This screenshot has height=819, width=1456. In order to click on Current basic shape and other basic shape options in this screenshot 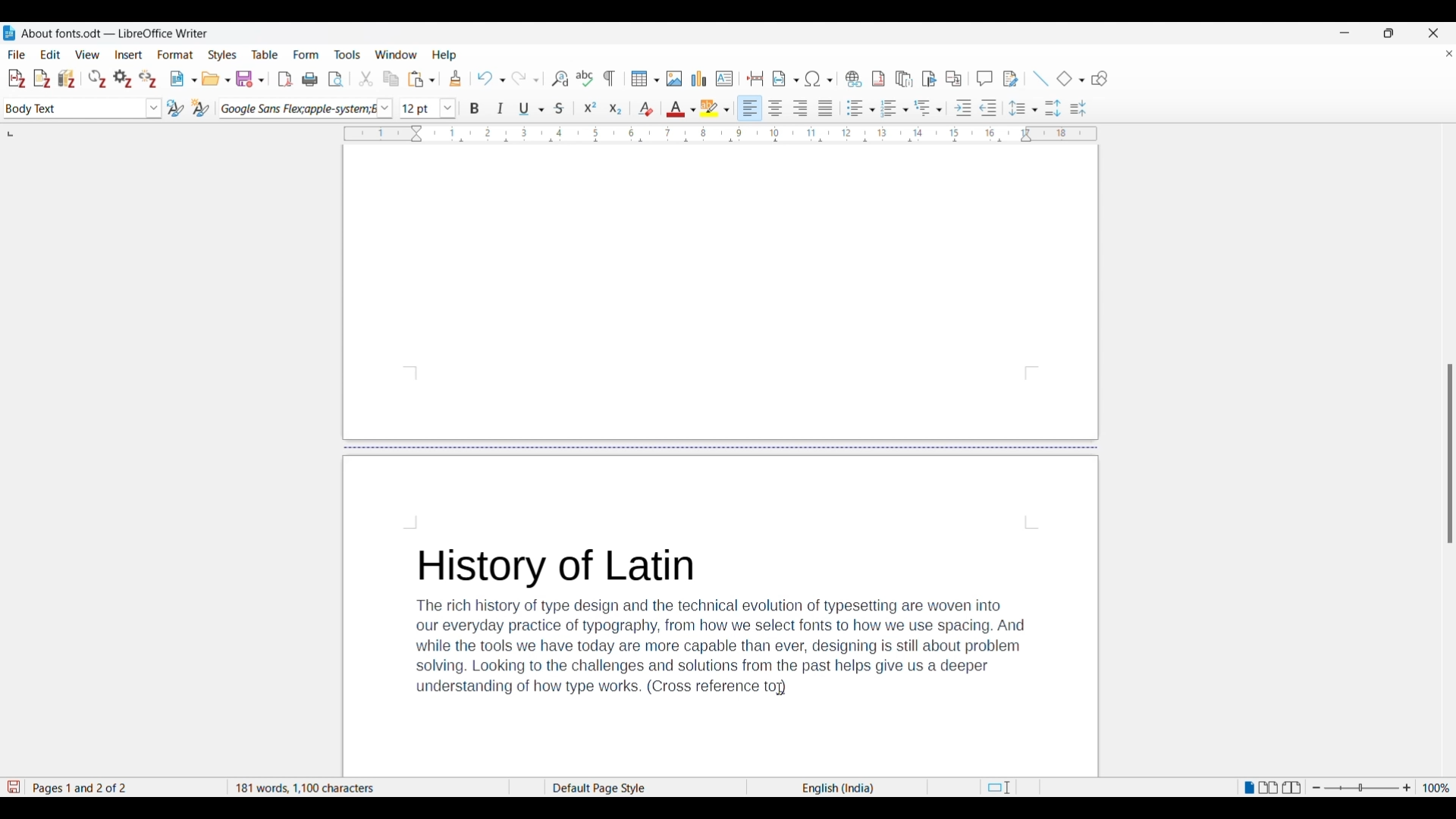, I will do `click(1070, 78)`.